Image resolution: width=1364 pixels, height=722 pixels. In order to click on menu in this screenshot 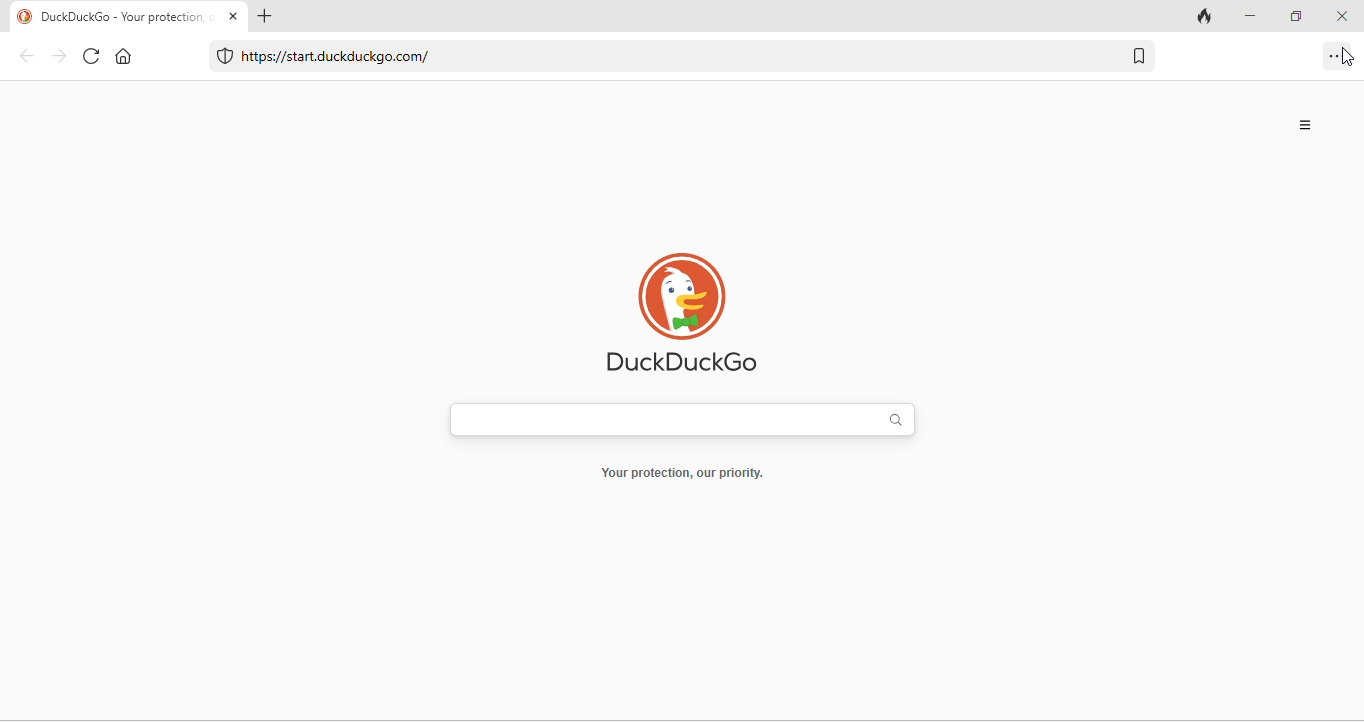, I will do `click(1316, 121)`.